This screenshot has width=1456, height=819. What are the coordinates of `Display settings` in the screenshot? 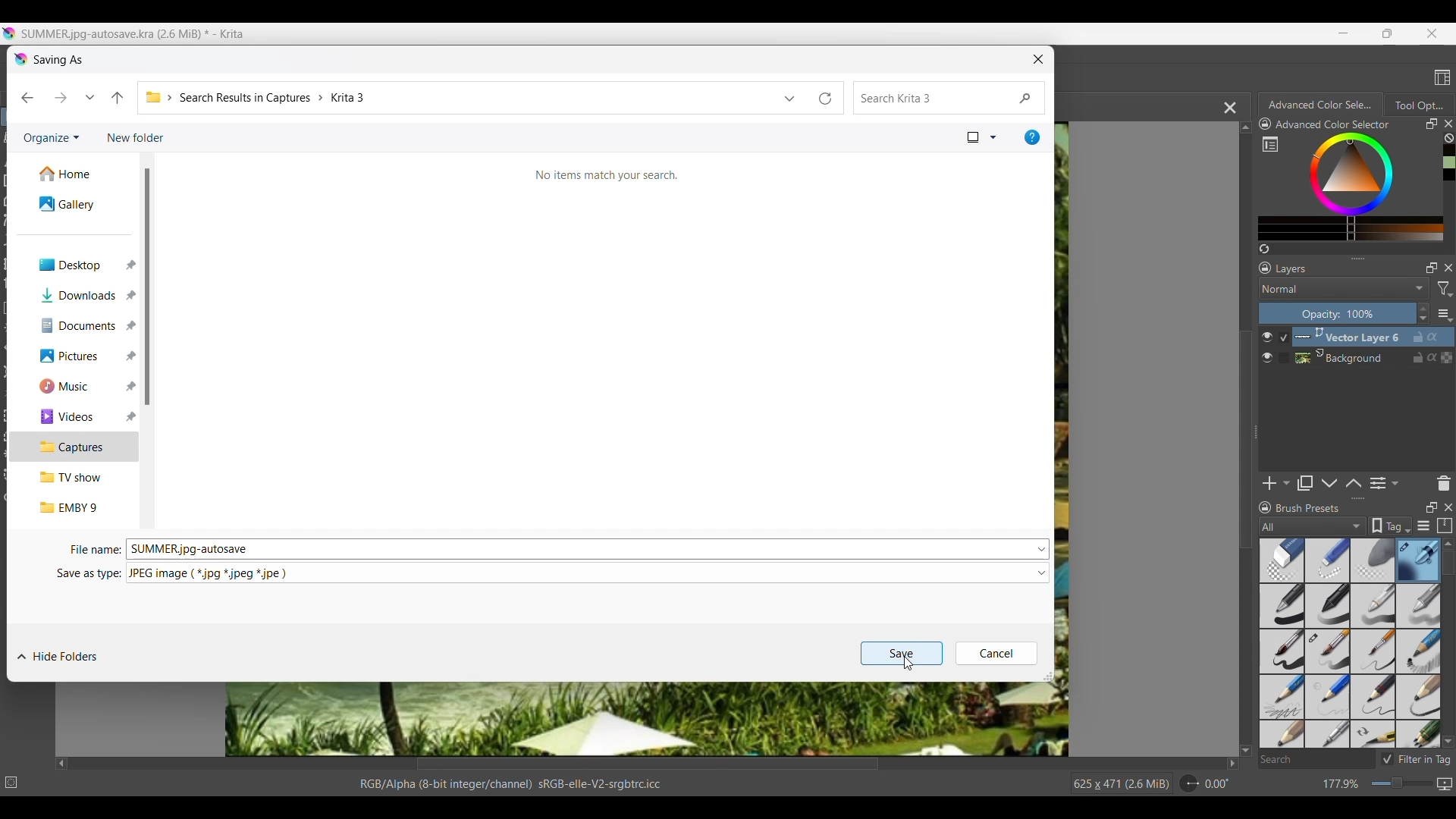 It's located at (1423, 526).